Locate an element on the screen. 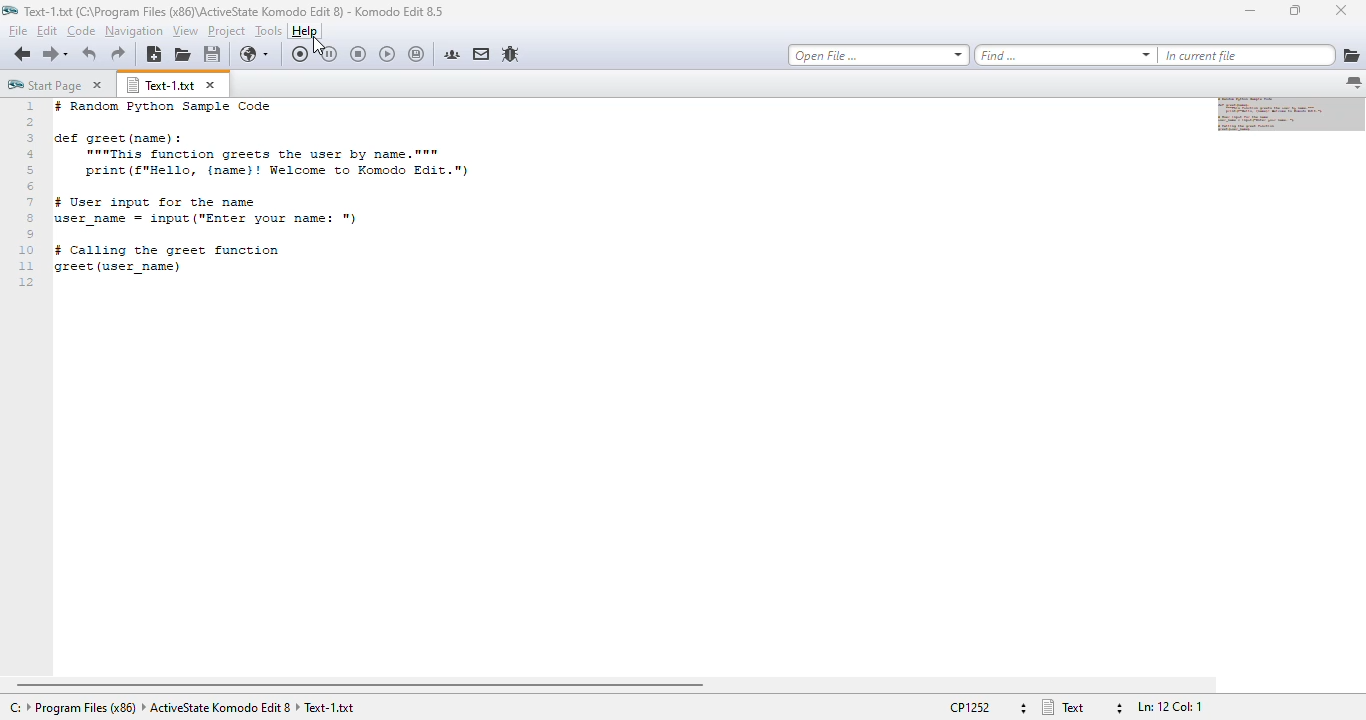 This screenshot has width=1366, height=720. file encoding is located at coordinates (987, 707).